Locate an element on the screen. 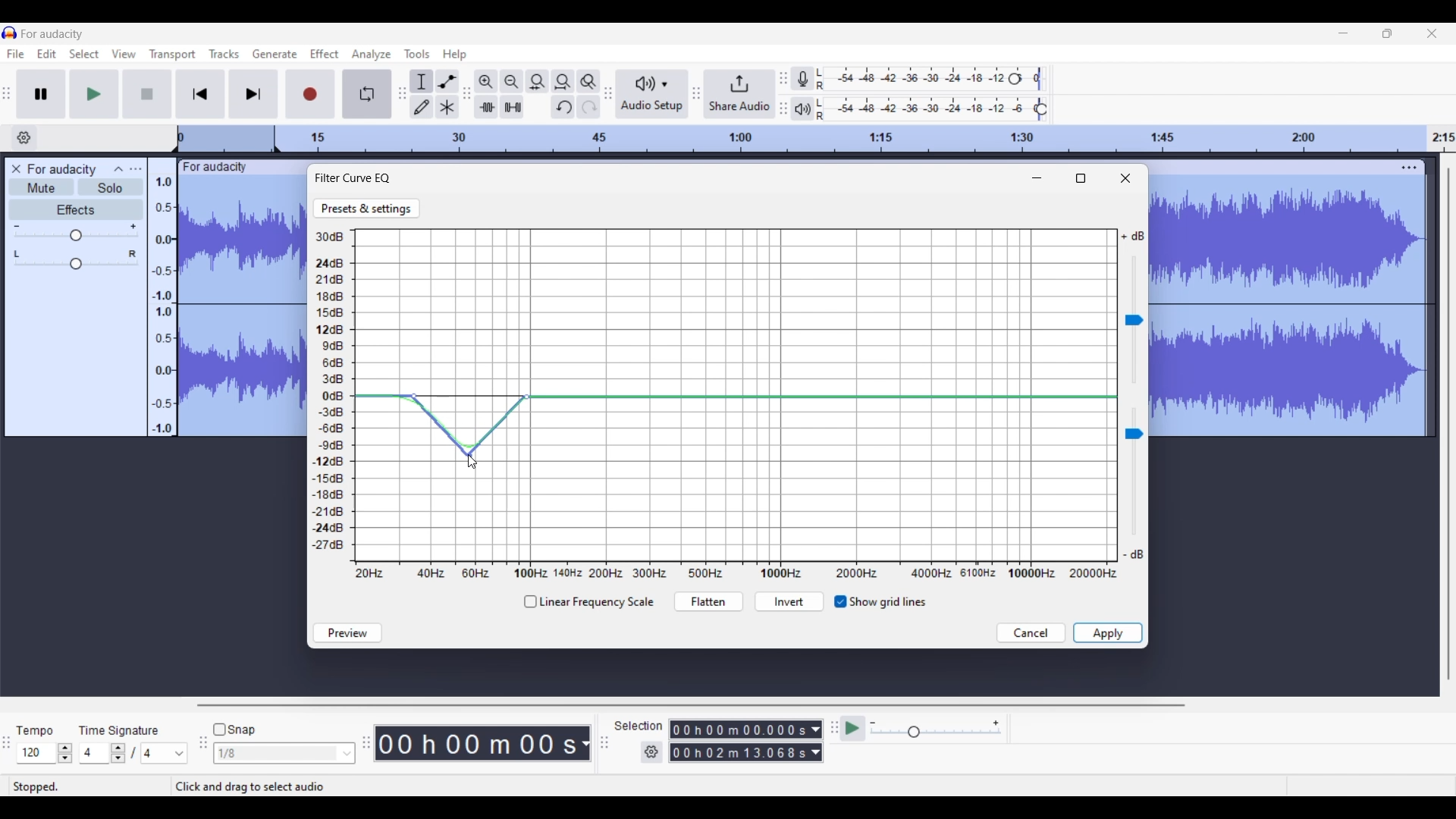 The height and width of the screenshot is (819, 1456). Y axis representing Decibel is located at coordinates (332, 392).